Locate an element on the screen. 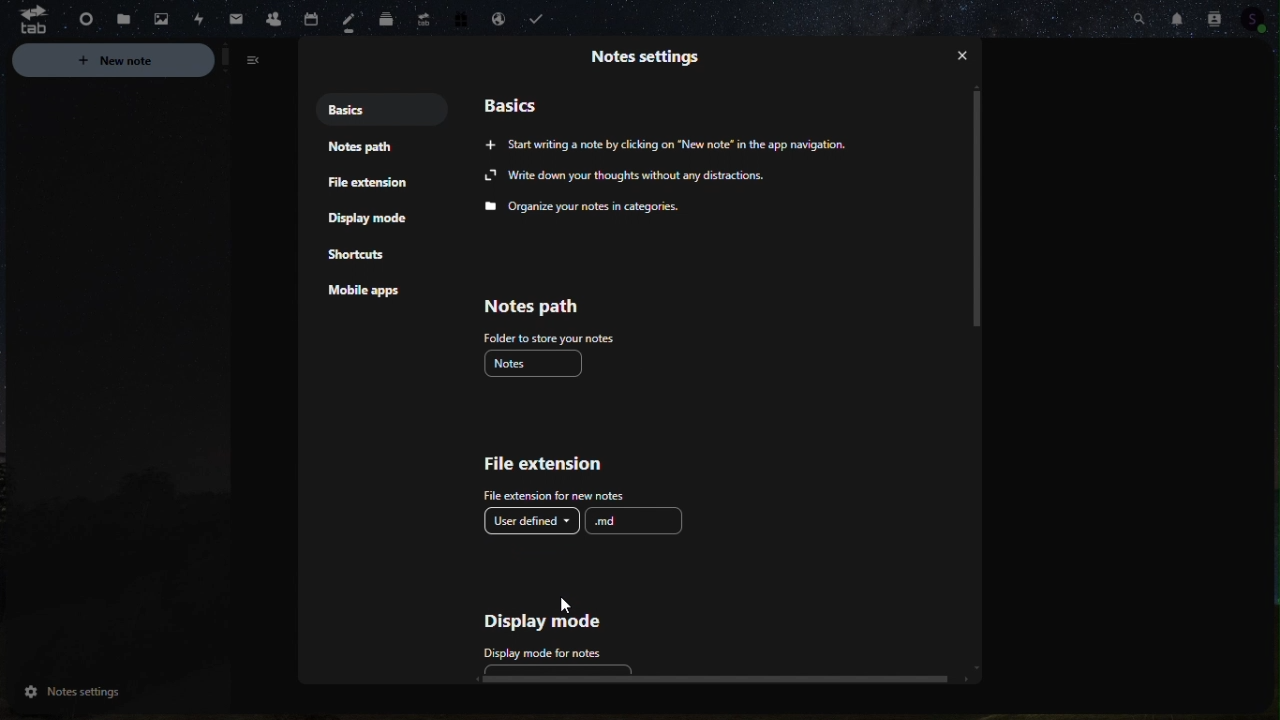   is located at coordinates (235, 15).